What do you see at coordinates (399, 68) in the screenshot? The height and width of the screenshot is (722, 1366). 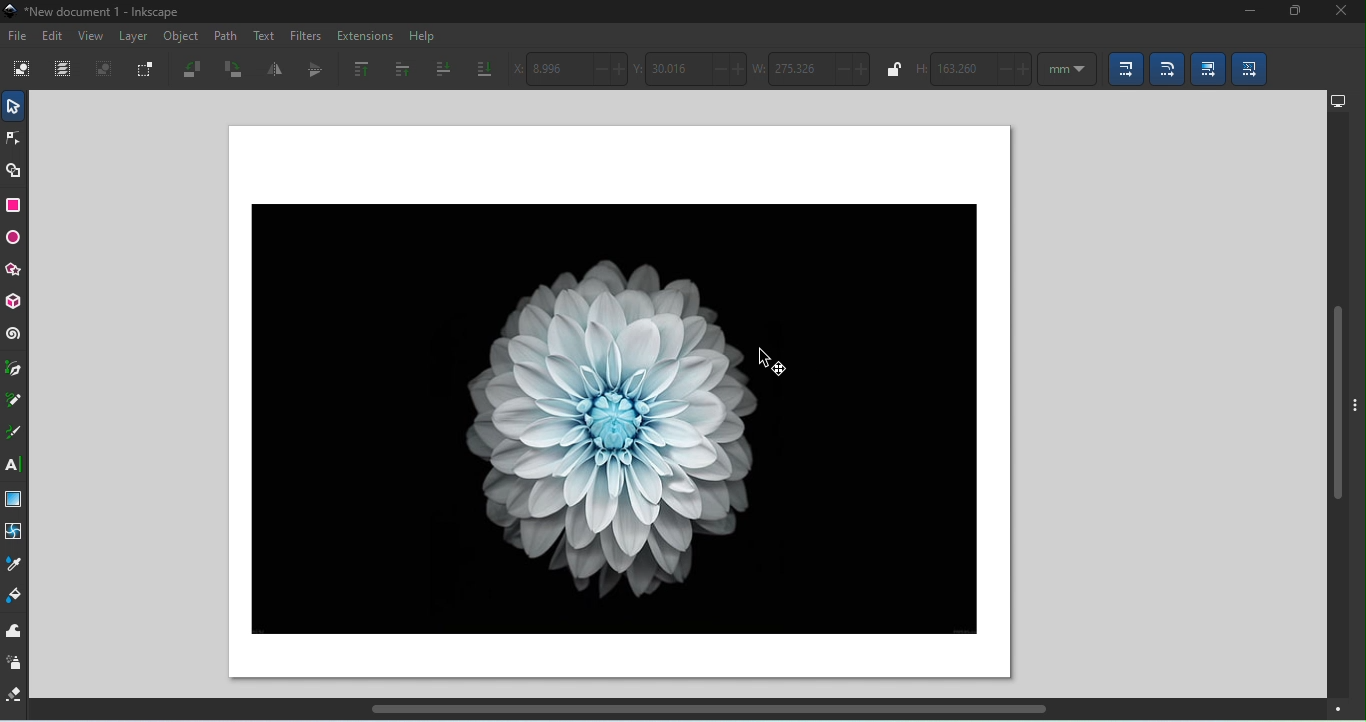 I see `raise selection one step` at bounding box center [399, 68].